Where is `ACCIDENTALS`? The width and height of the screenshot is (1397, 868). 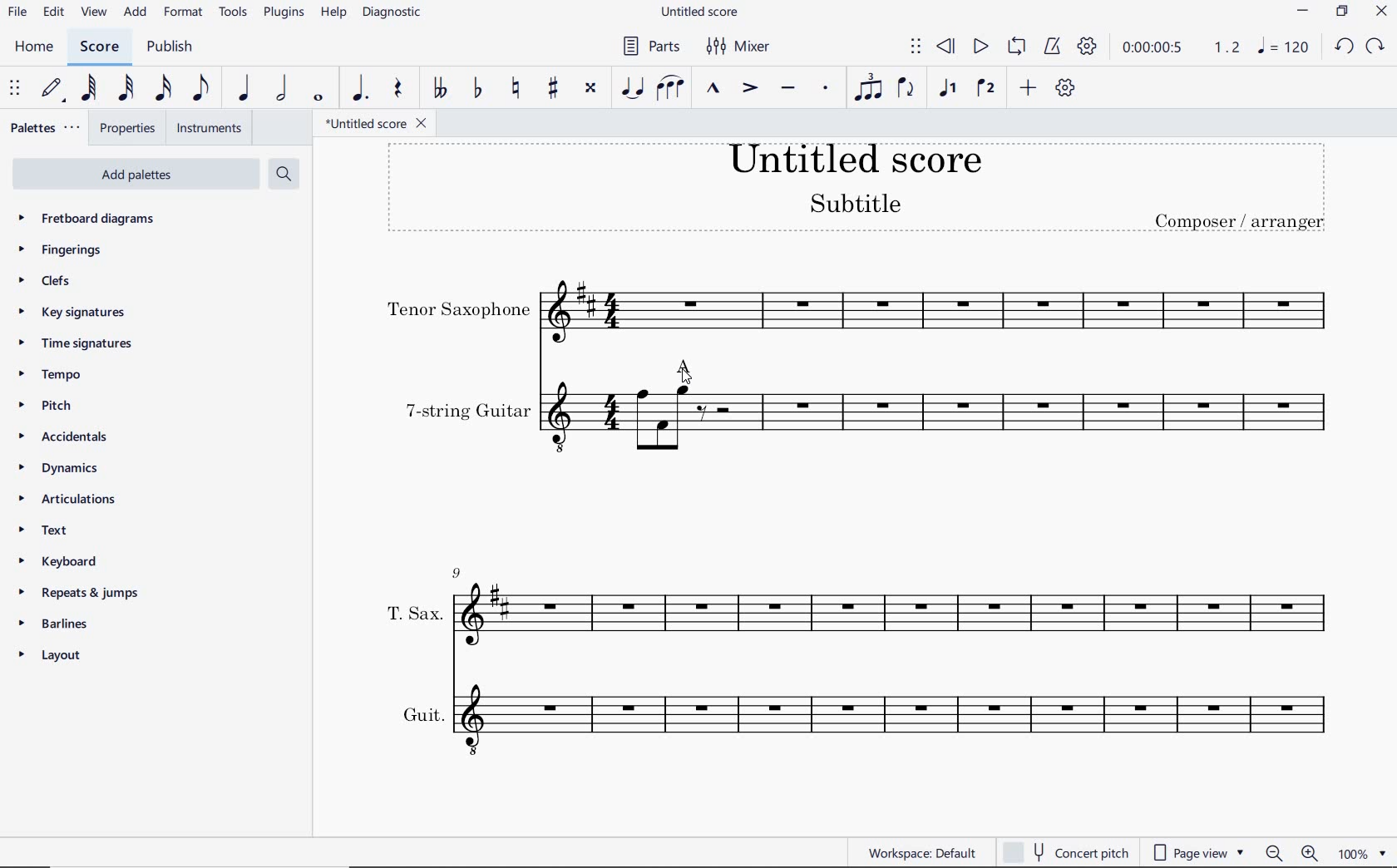 ACCIDENTALS is located at coordinates (77, 437).